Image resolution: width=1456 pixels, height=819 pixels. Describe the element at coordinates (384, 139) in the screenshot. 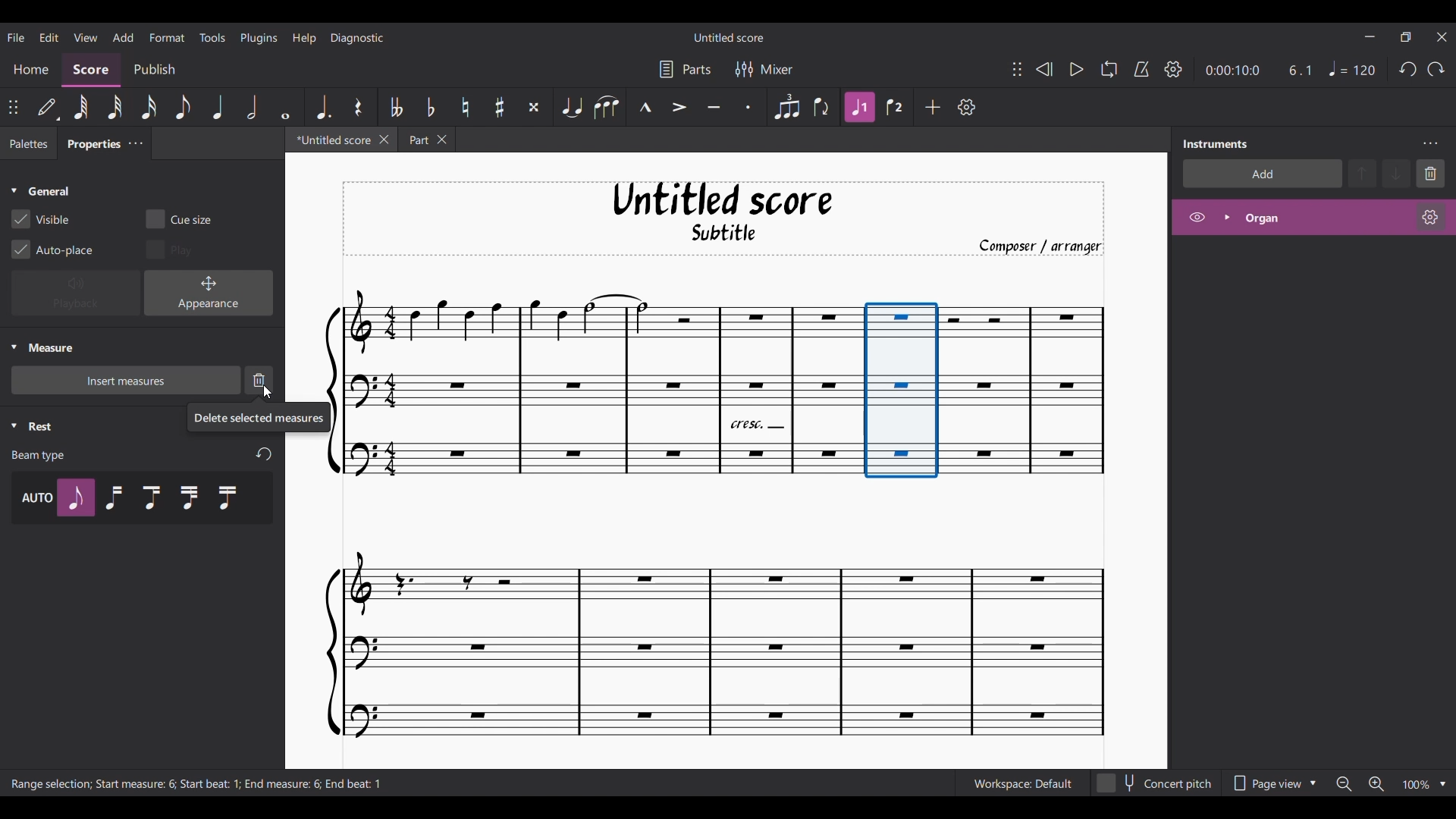

I see `Close current tab` at that location.